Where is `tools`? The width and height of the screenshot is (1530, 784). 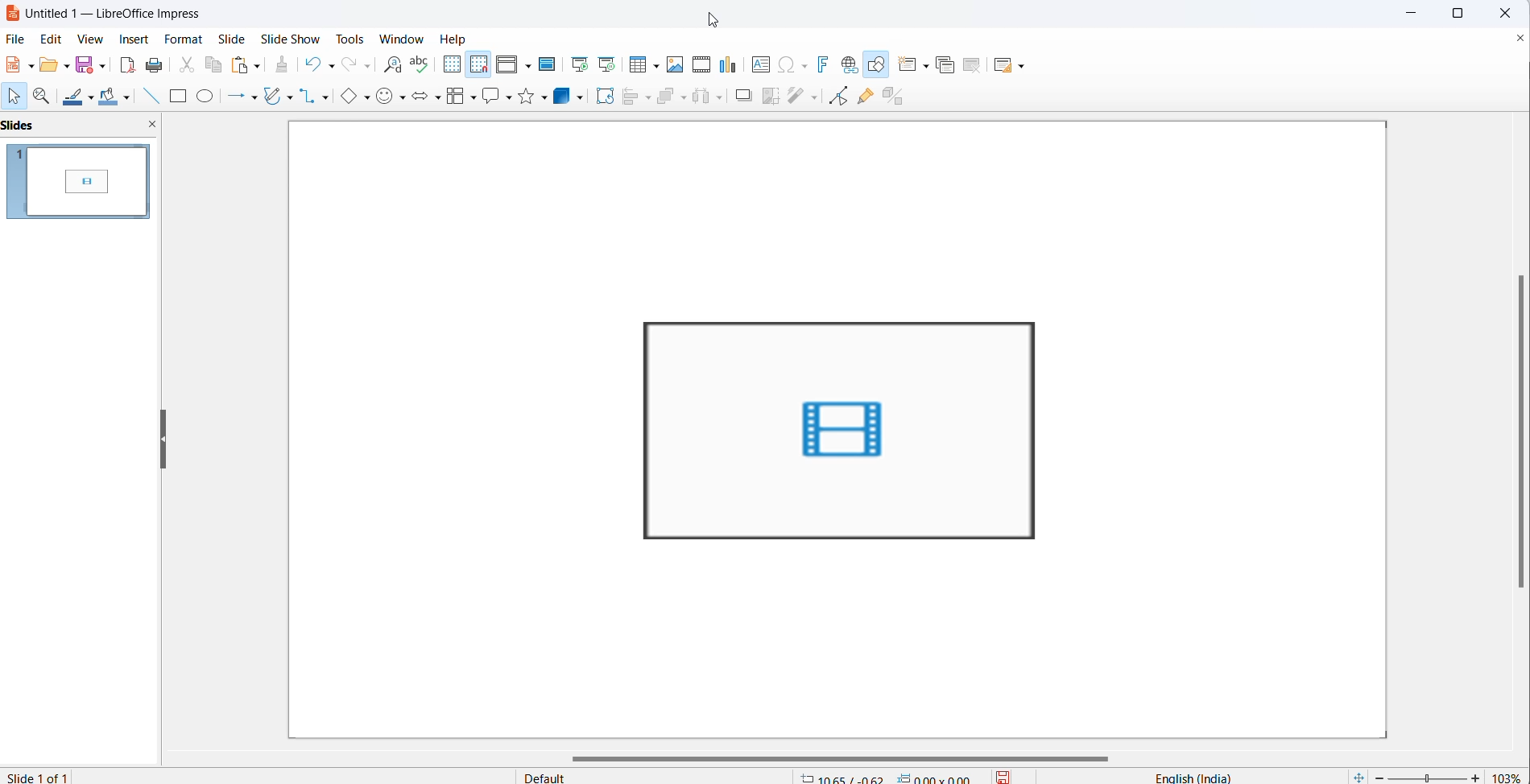
tools is located at coordinates (345, 39).